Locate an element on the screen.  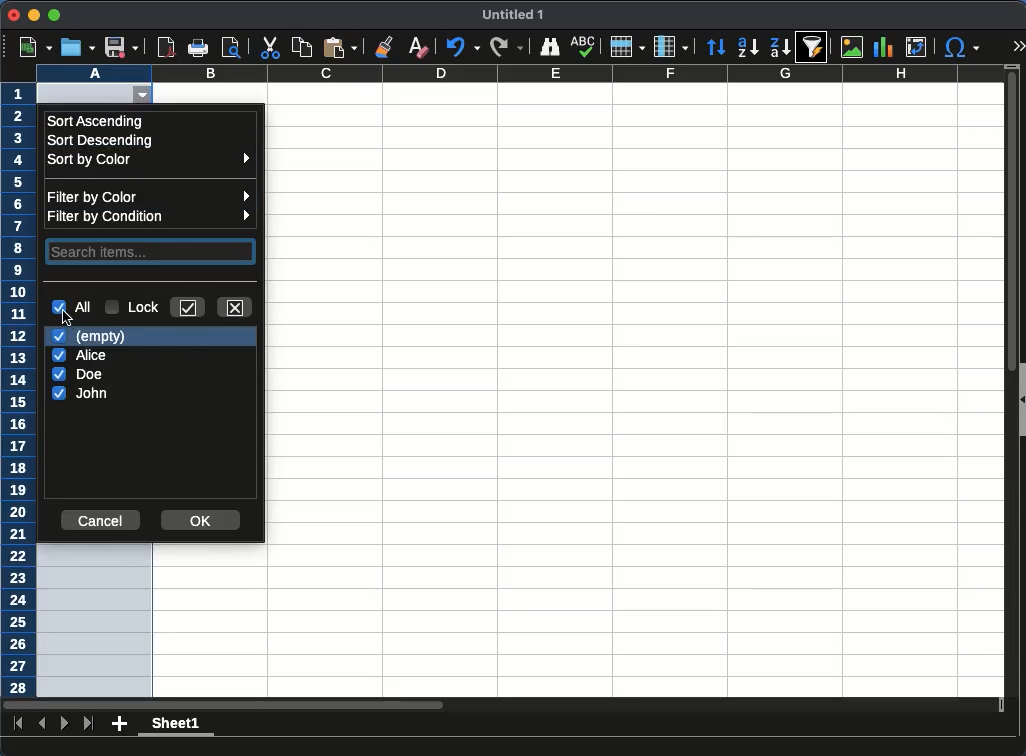
copy is located at coordinates (303, 48).